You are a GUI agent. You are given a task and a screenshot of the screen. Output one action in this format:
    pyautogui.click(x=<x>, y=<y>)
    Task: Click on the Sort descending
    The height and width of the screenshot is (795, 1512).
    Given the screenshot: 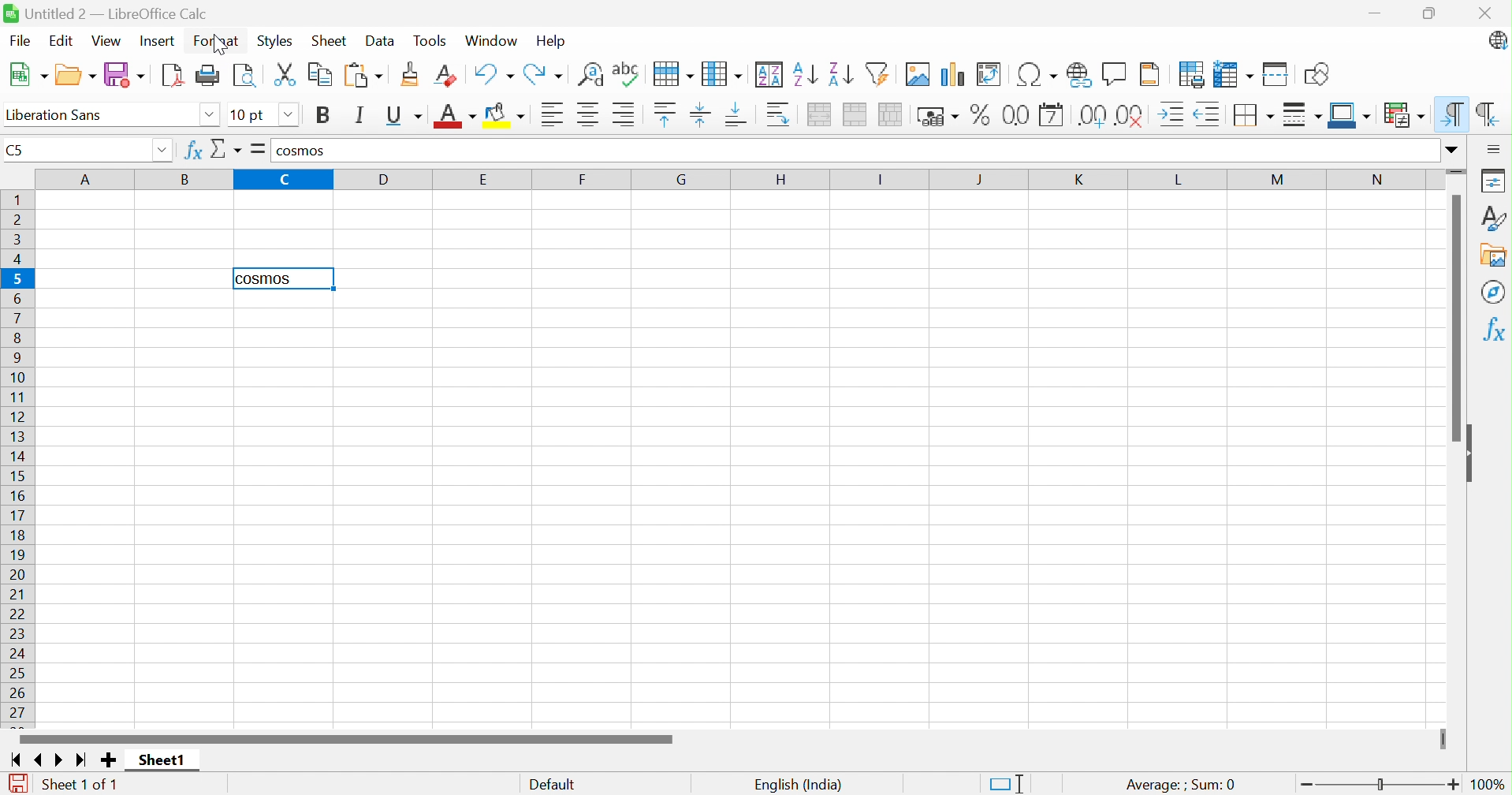 What is the action you would take?
    pyautogui.click(x=840, y=74)
    